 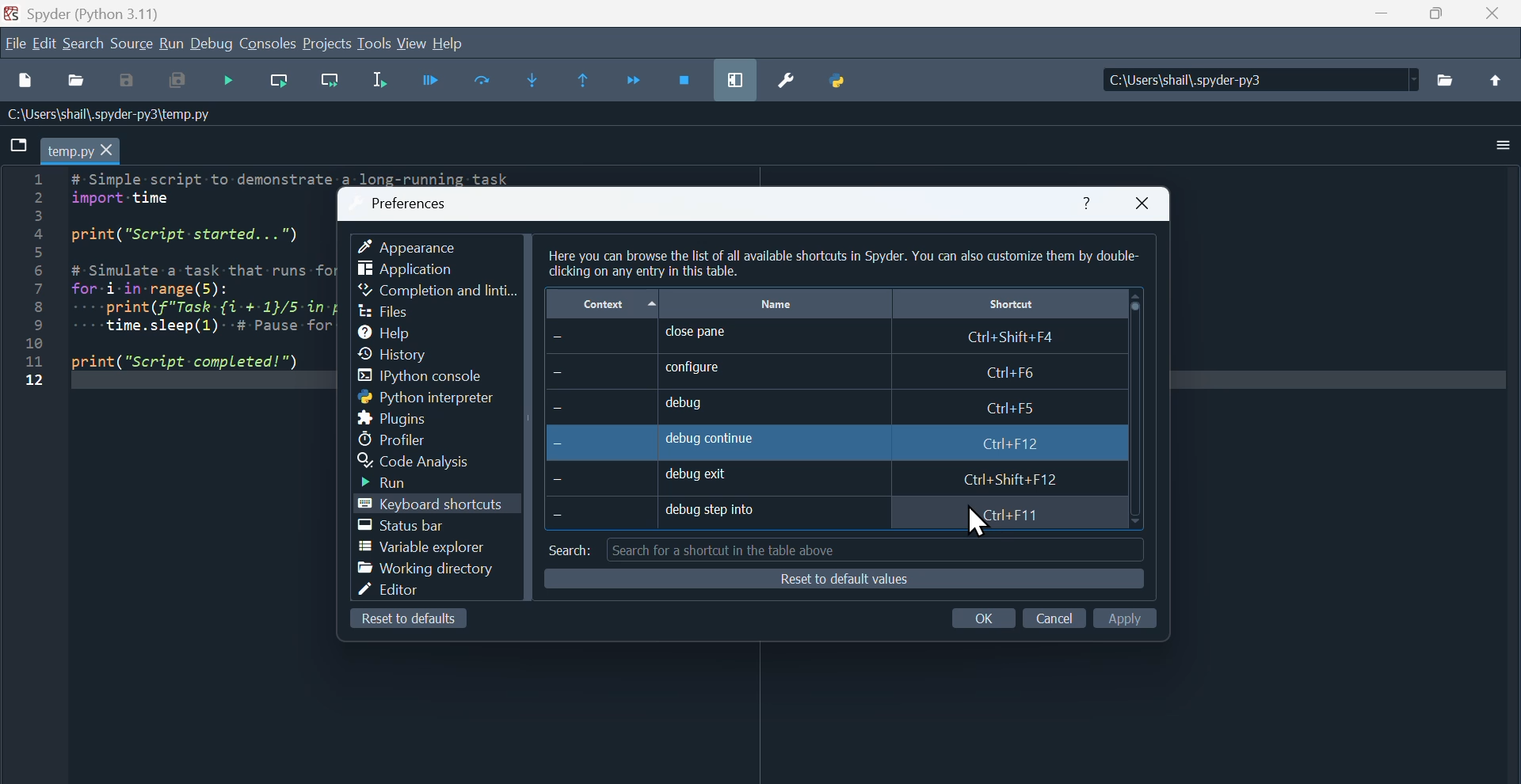 I want to click on Open file, so click(x=75, y=82).